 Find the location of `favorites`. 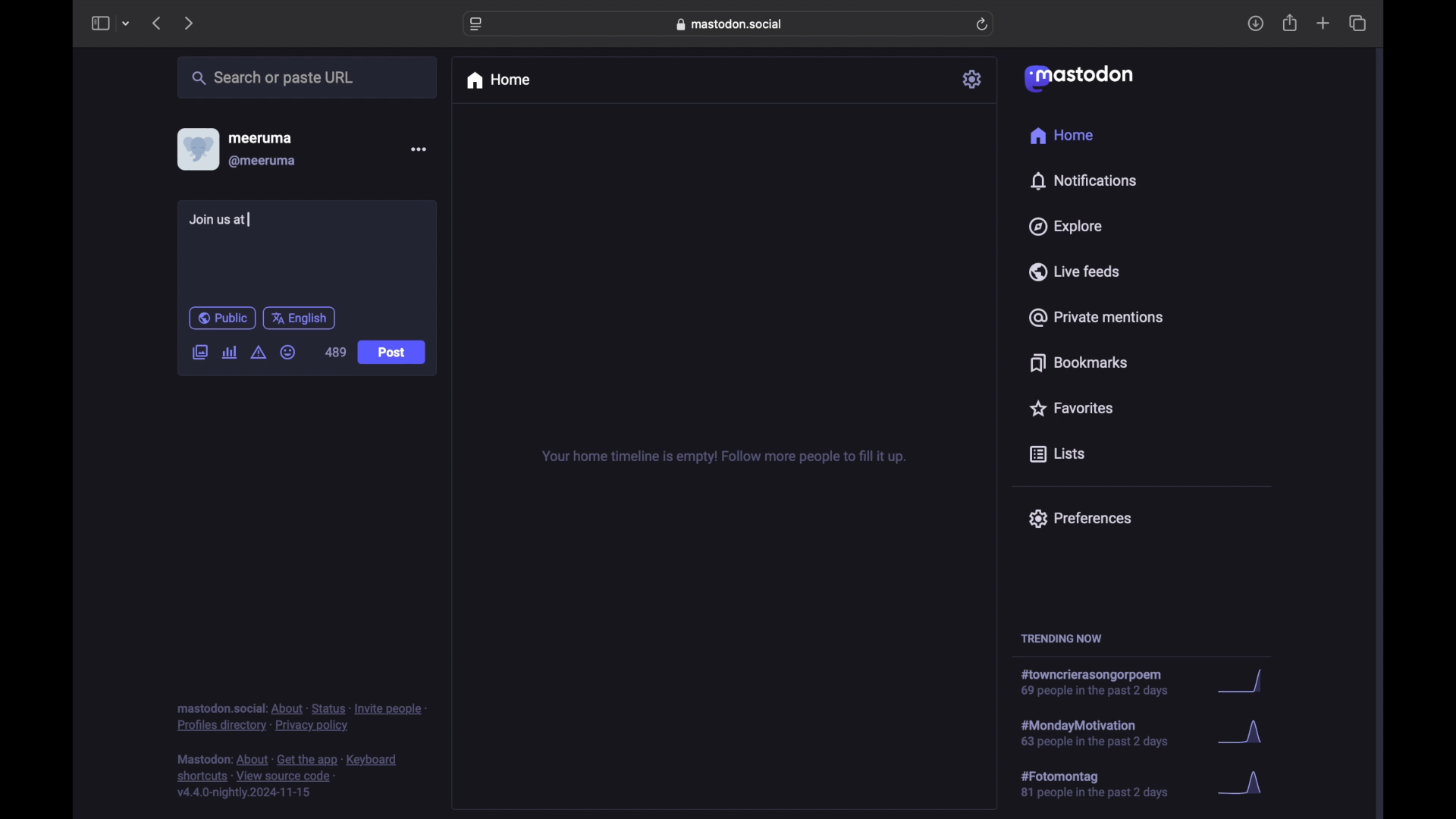

favorites is located at coordinates (1070, 408).